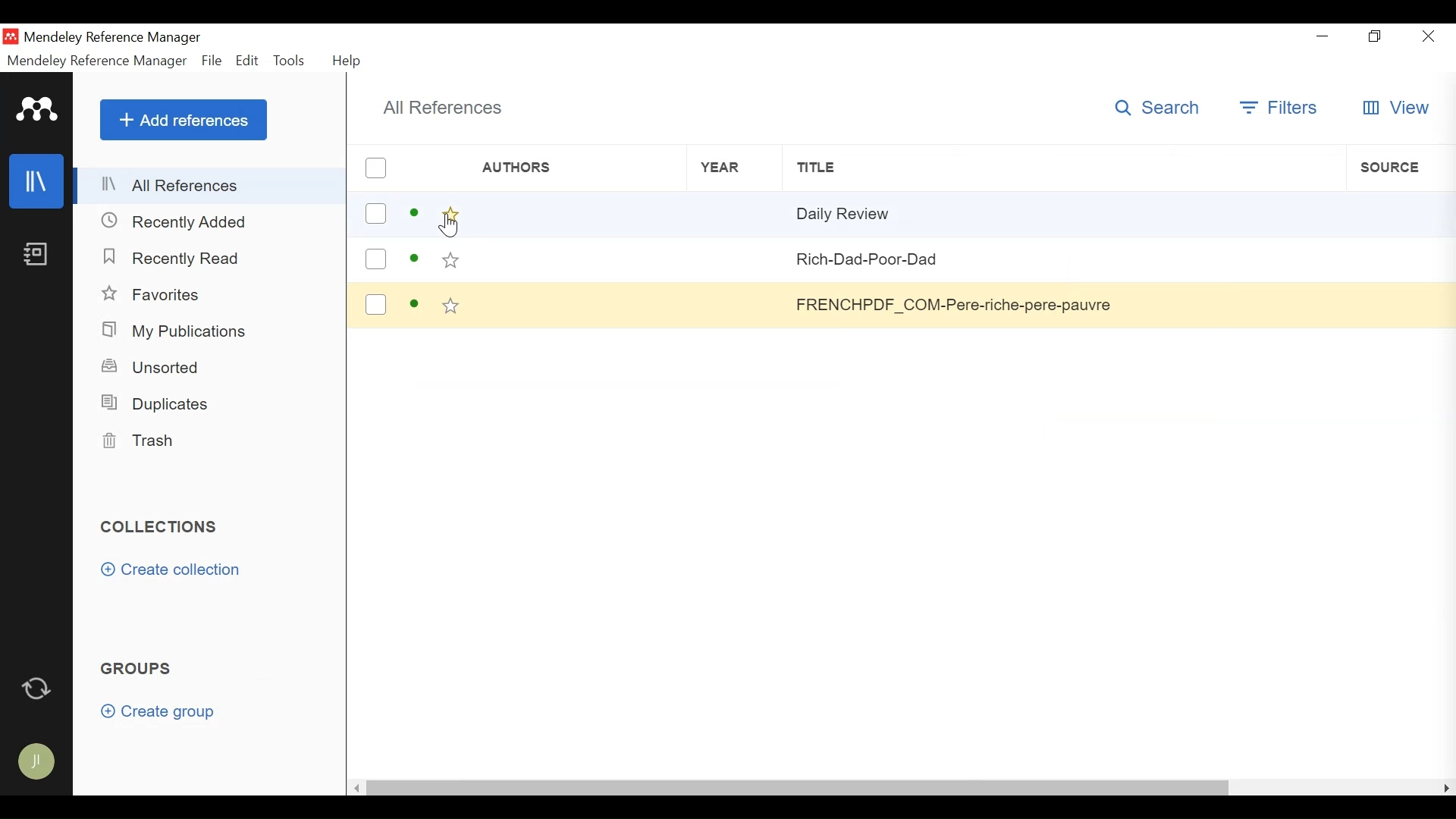 This screenshot has height=819, width=1456. What do you see at coordinates (451, 306) in the screenshot?
I see `(un)select Favorite"` at bounding box center [451, 306].